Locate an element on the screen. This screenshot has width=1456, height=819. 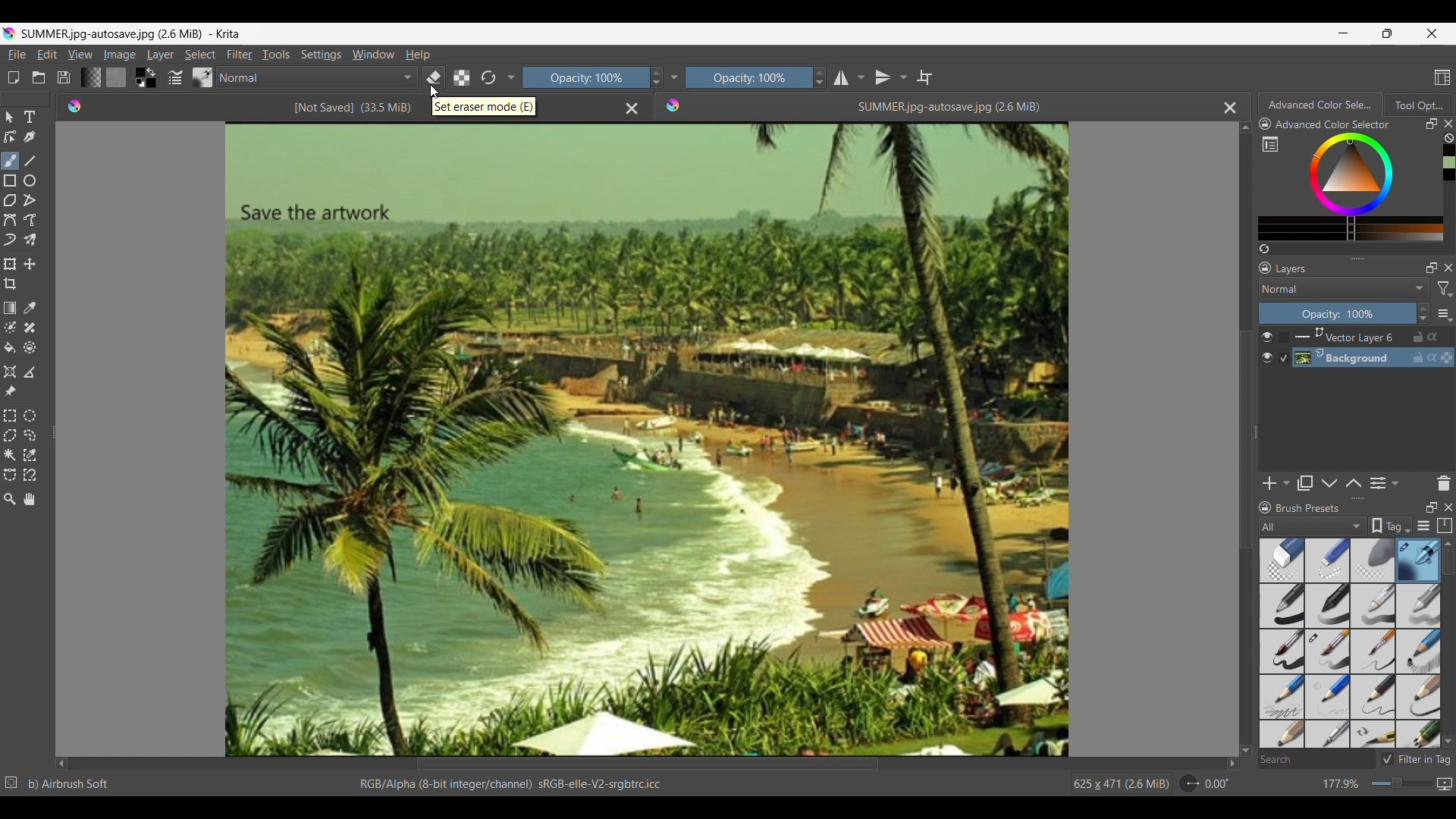
Move layer up is located at coordinates (1354, 482).